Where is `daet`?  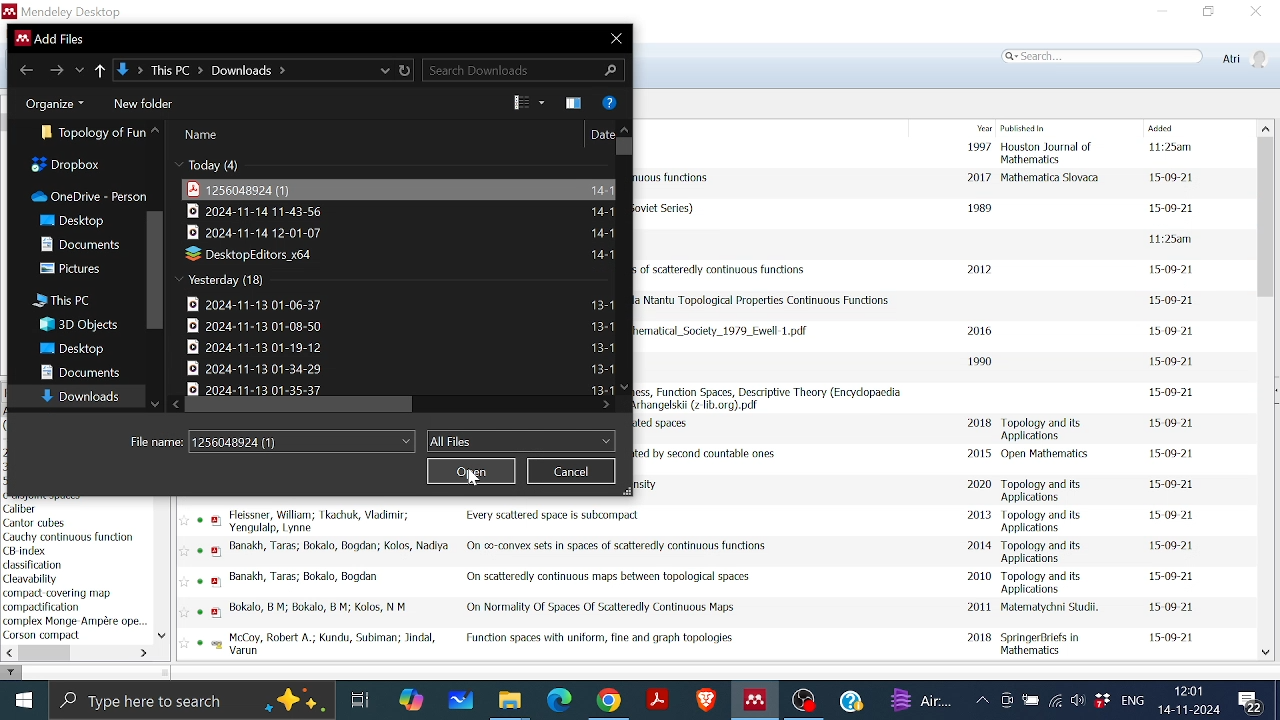 daet is located at coordinates (1171, 607).